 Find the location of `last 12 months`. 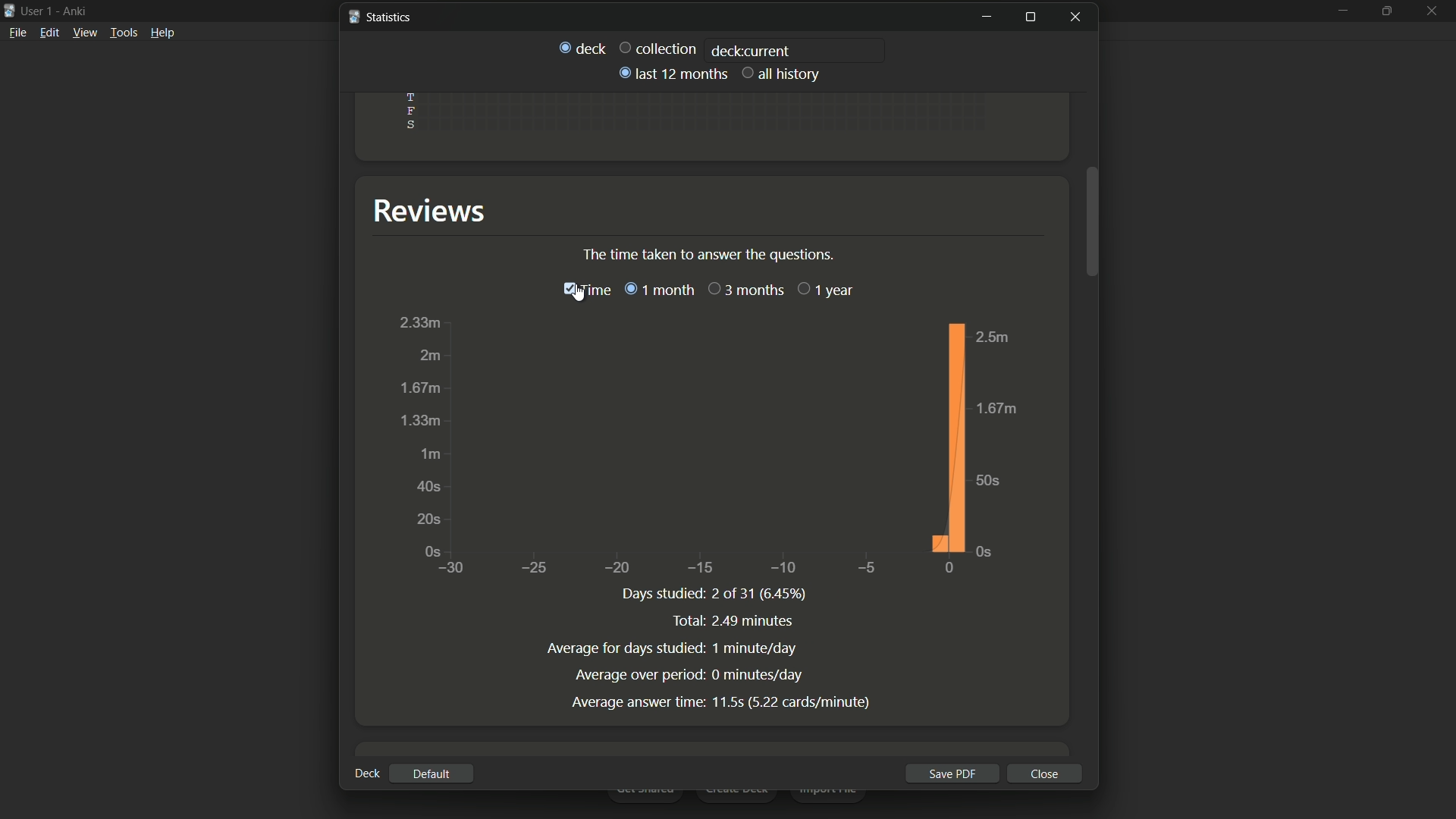

last 12 months is located at coordinates (671, 74).